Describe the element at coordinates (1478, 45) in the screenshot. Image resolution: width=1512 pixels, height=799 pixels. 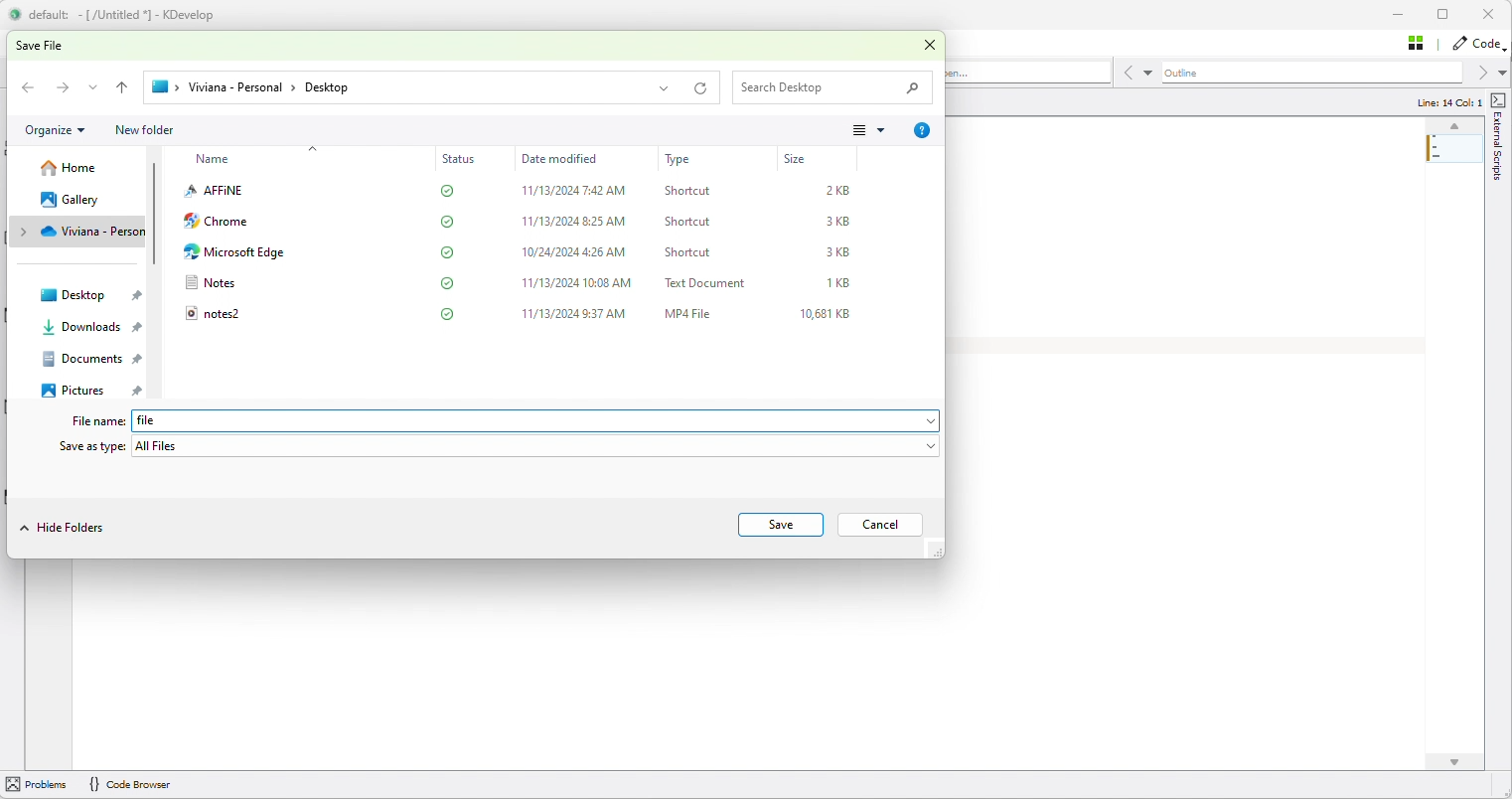
I see `Code` at that location.